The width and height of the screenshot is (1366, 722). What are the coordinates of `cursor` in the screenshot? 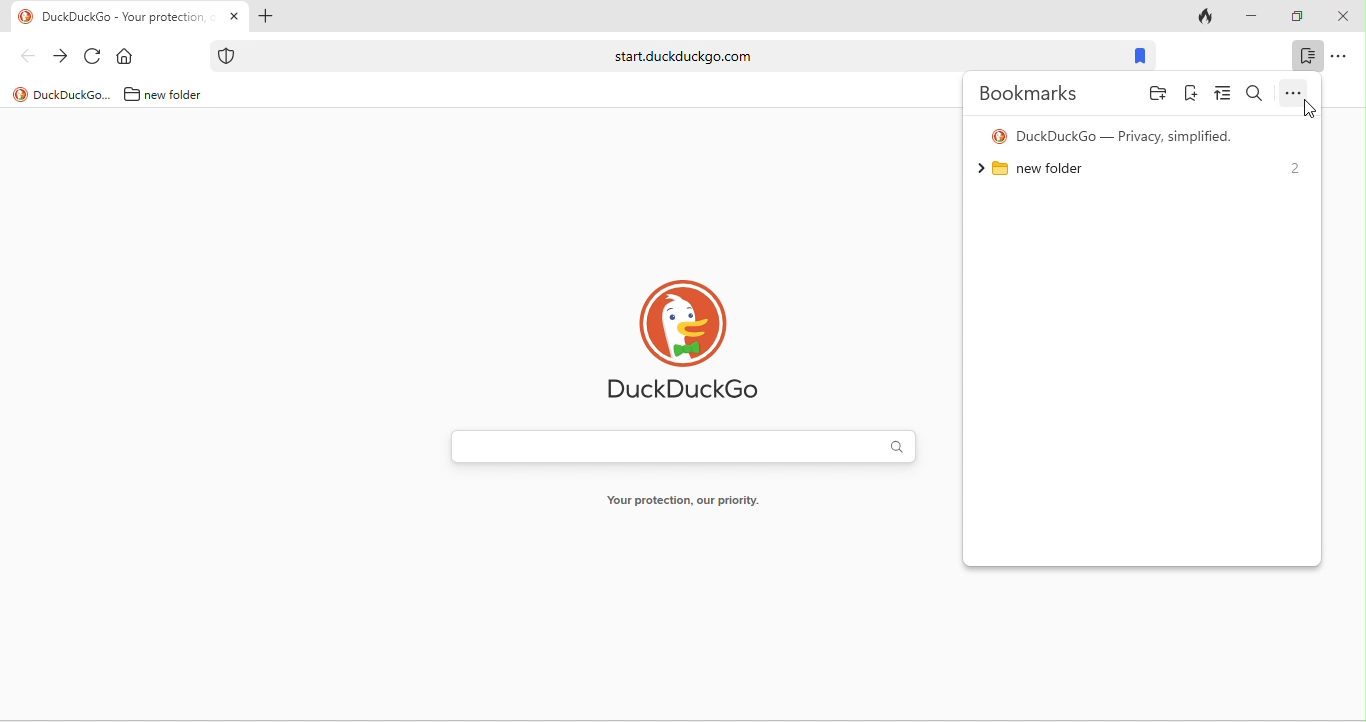 It's located at (1309, 109).